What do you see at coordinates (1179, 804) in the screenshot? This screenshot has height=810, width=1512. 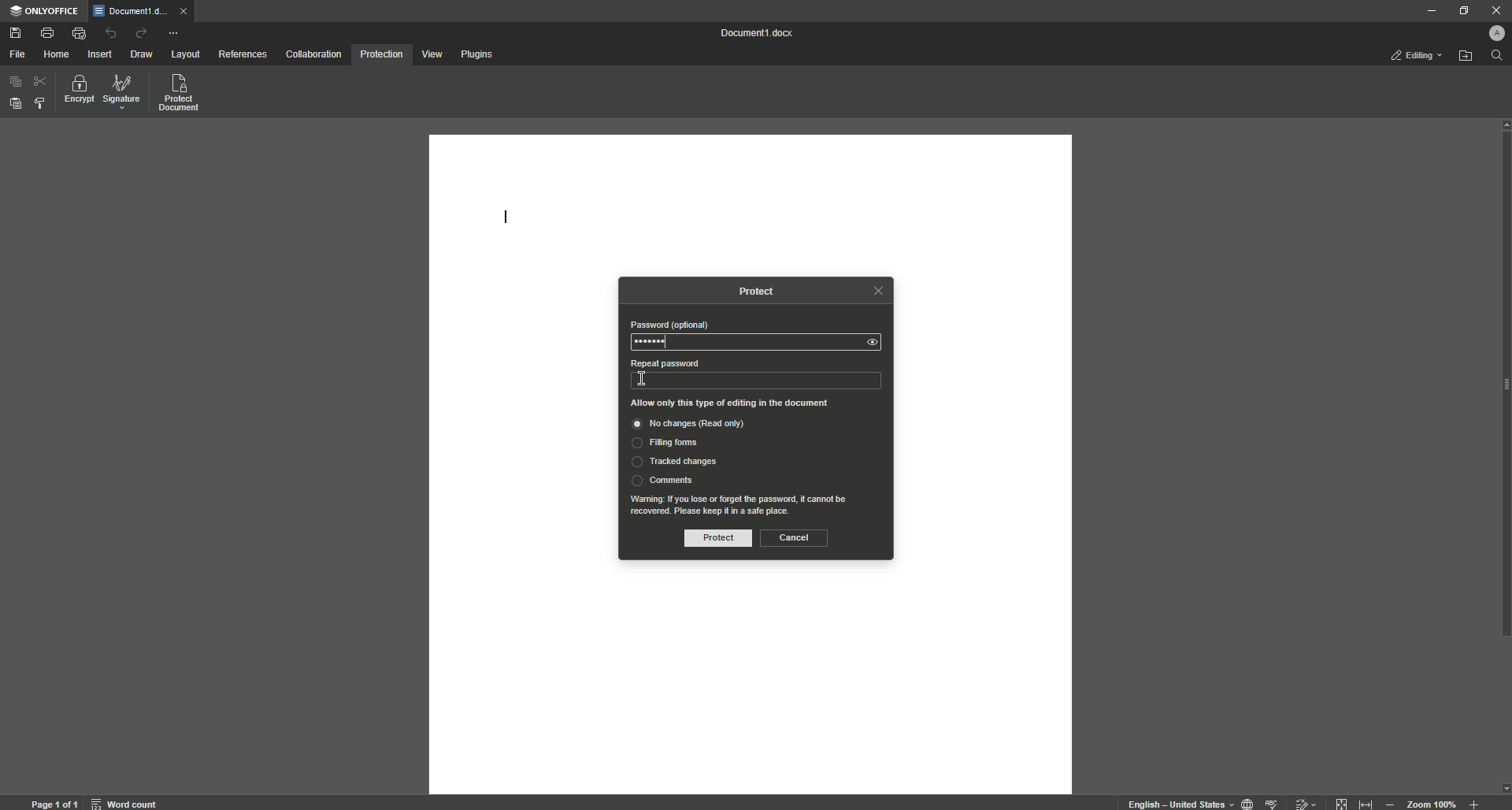 I see `text language` at bounding box center [1179, 804].